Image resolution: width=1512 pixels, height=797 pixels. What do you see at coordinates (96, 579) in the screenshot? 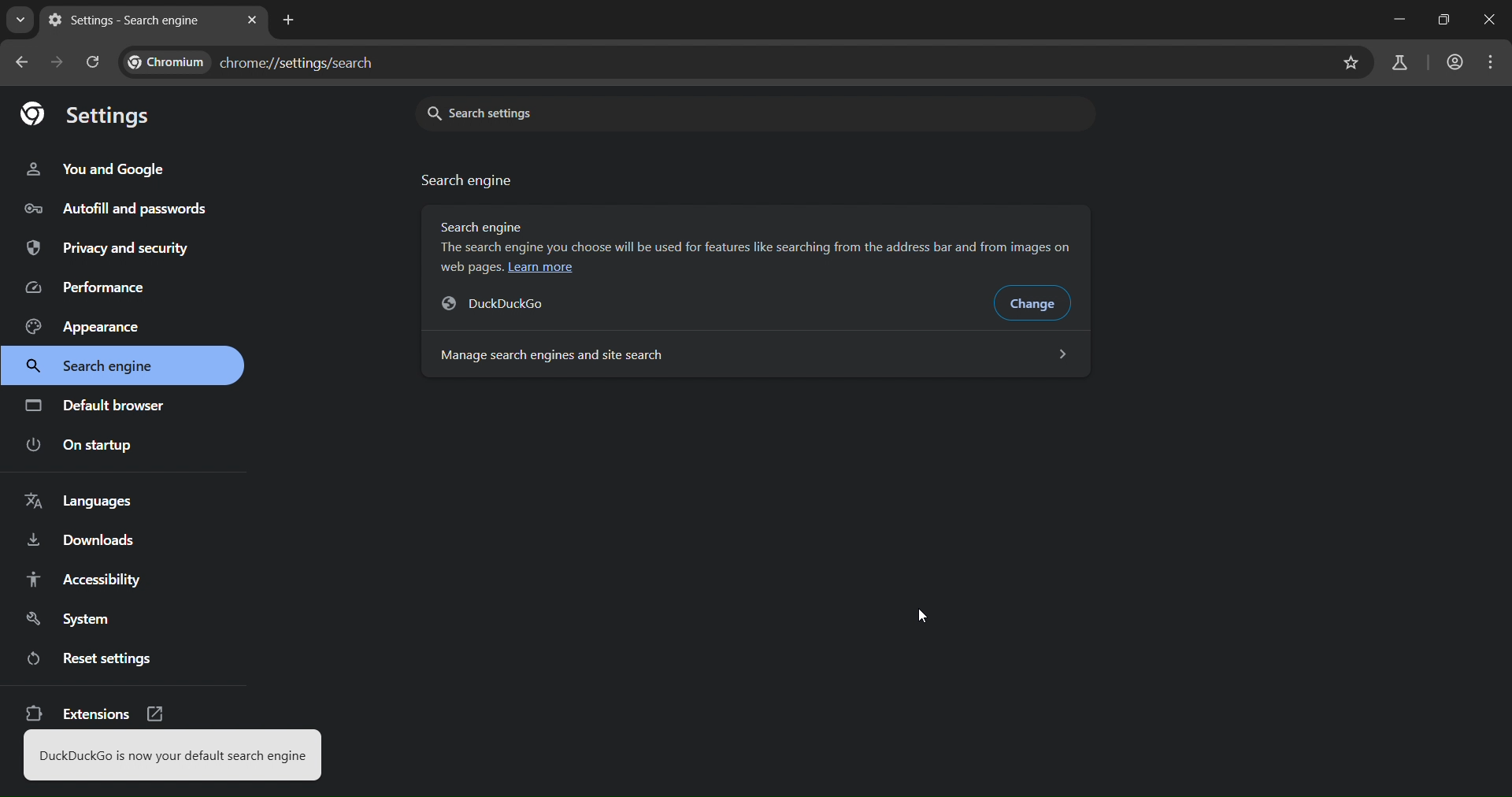
I see `accessibility` at bounding box center [96, 579].